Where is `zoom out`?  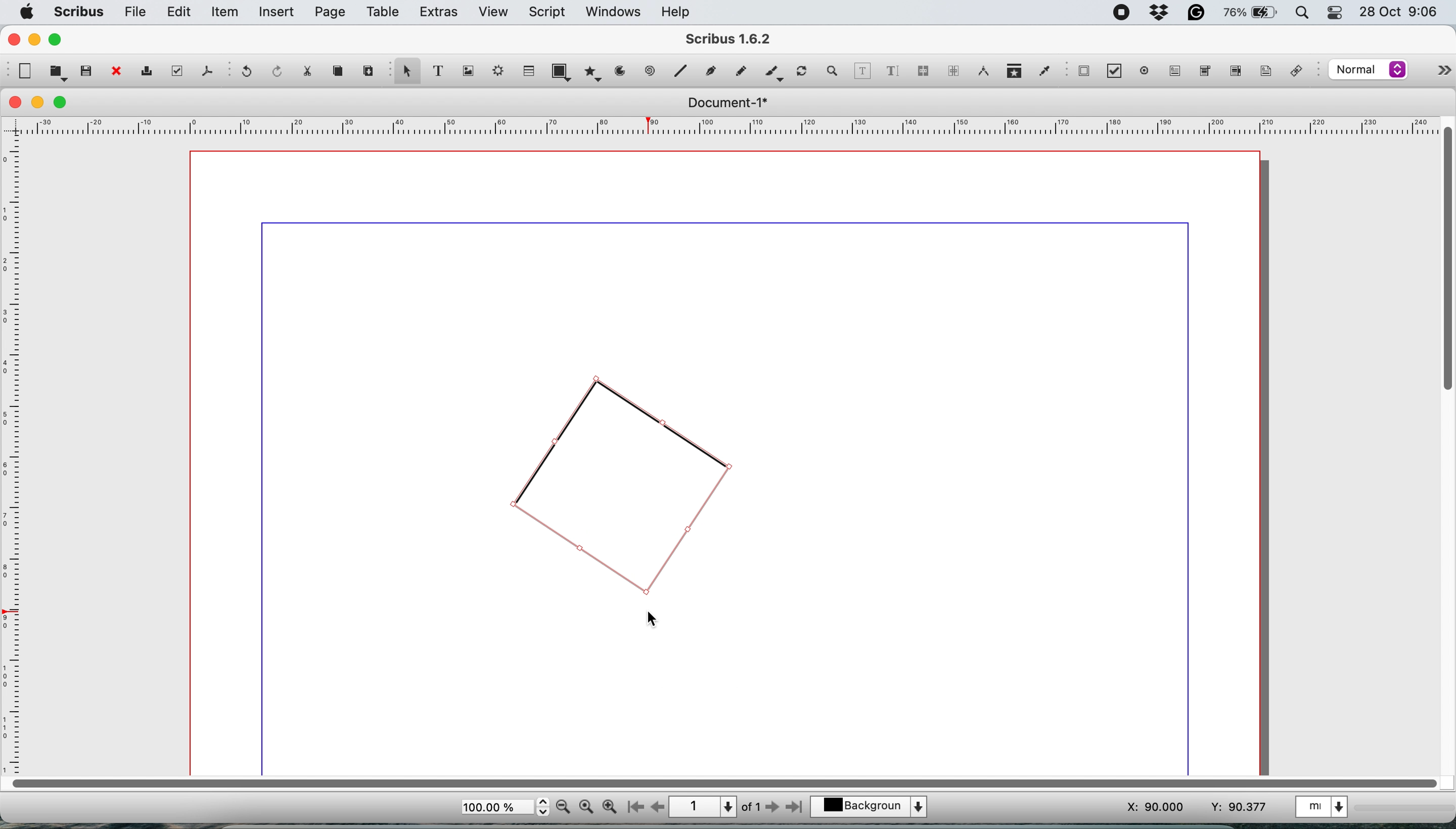
zoom out is located at coordinates (563, 808).